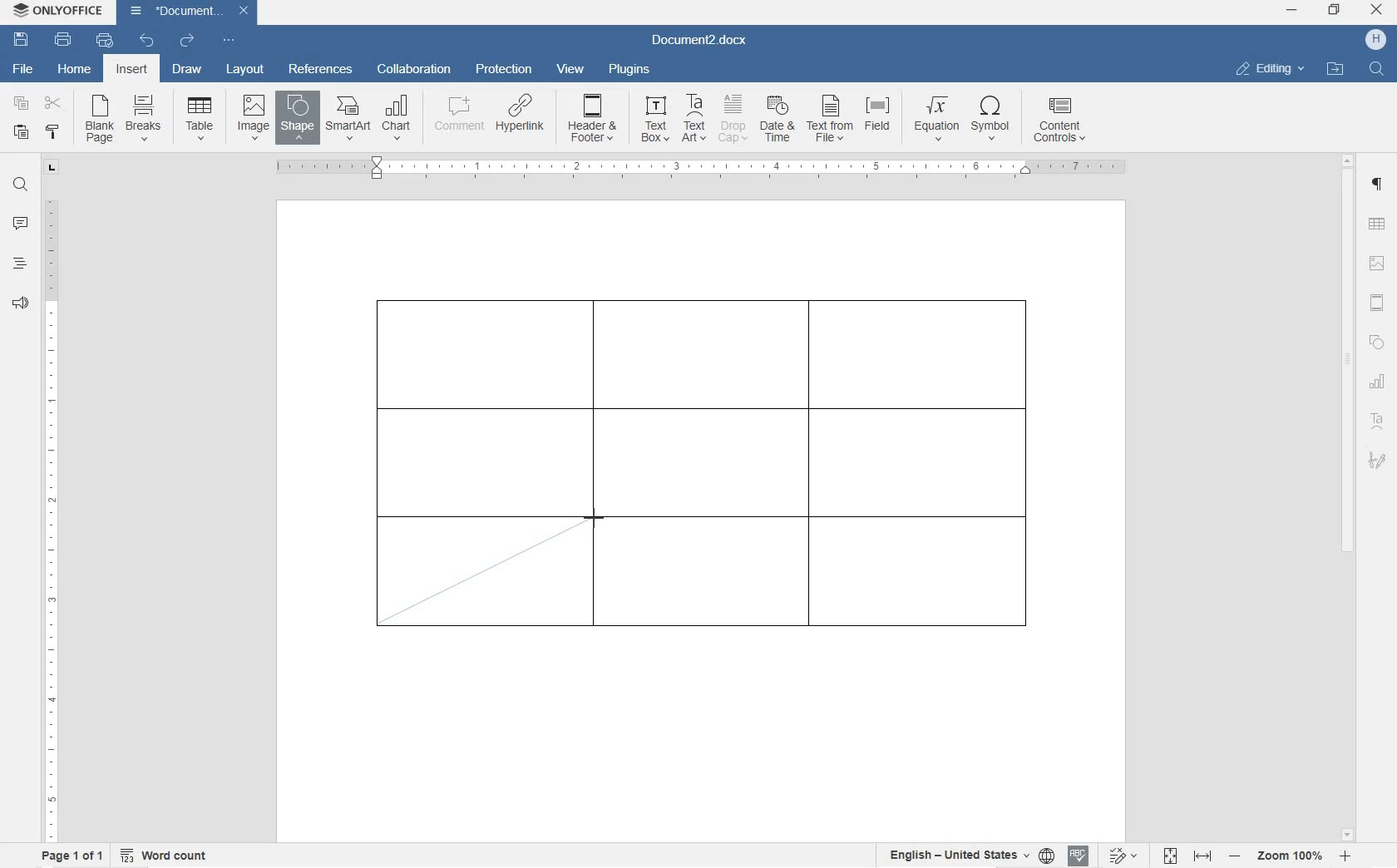 This screenshot has height=868, width=1397. I want to click on textart, so click(1376, 418).